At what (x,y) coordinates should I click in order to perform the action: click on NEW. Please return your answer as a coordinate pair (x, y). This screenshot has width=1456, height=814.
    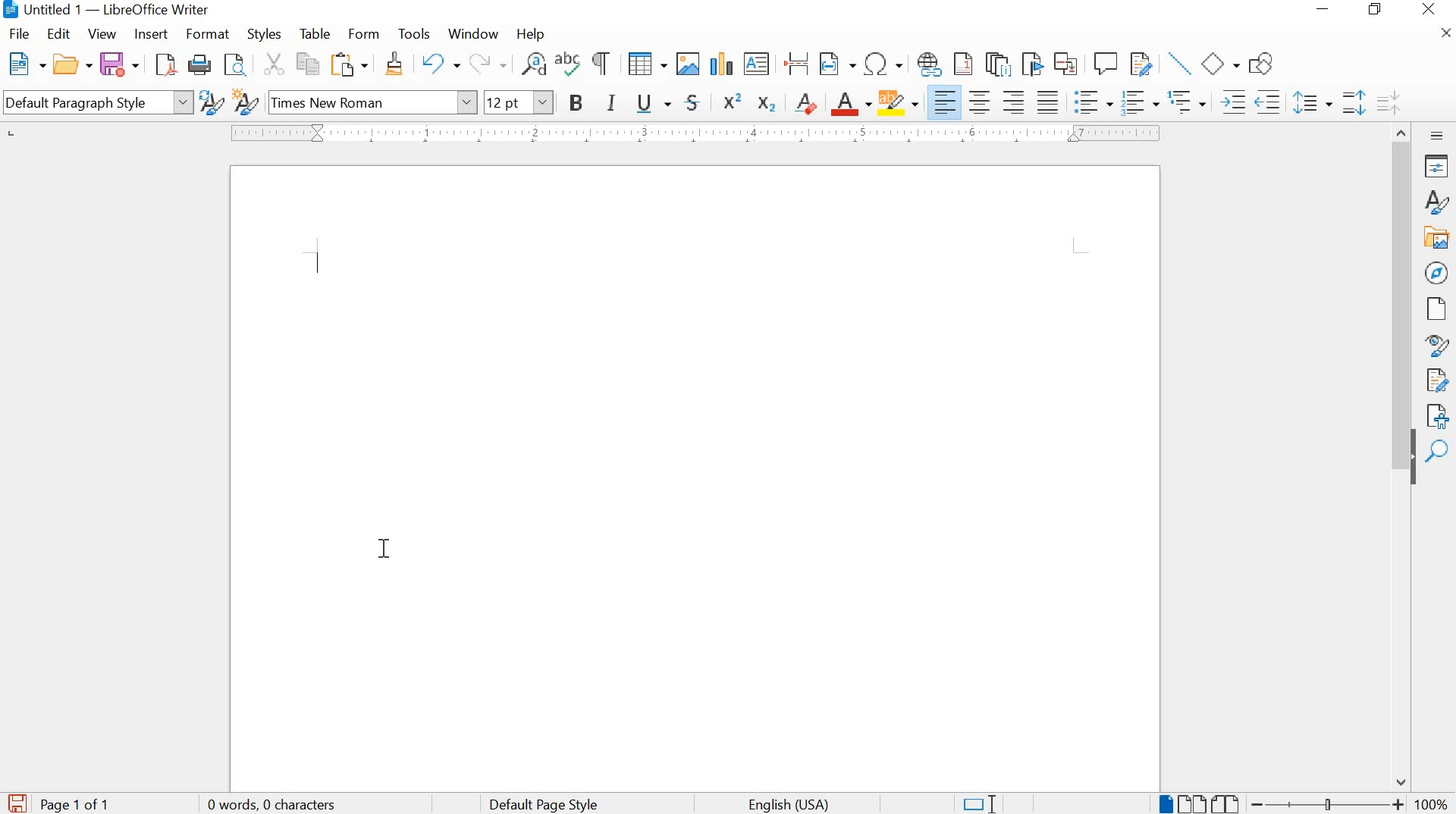
    Looking at the image, I should click on (24, 63).